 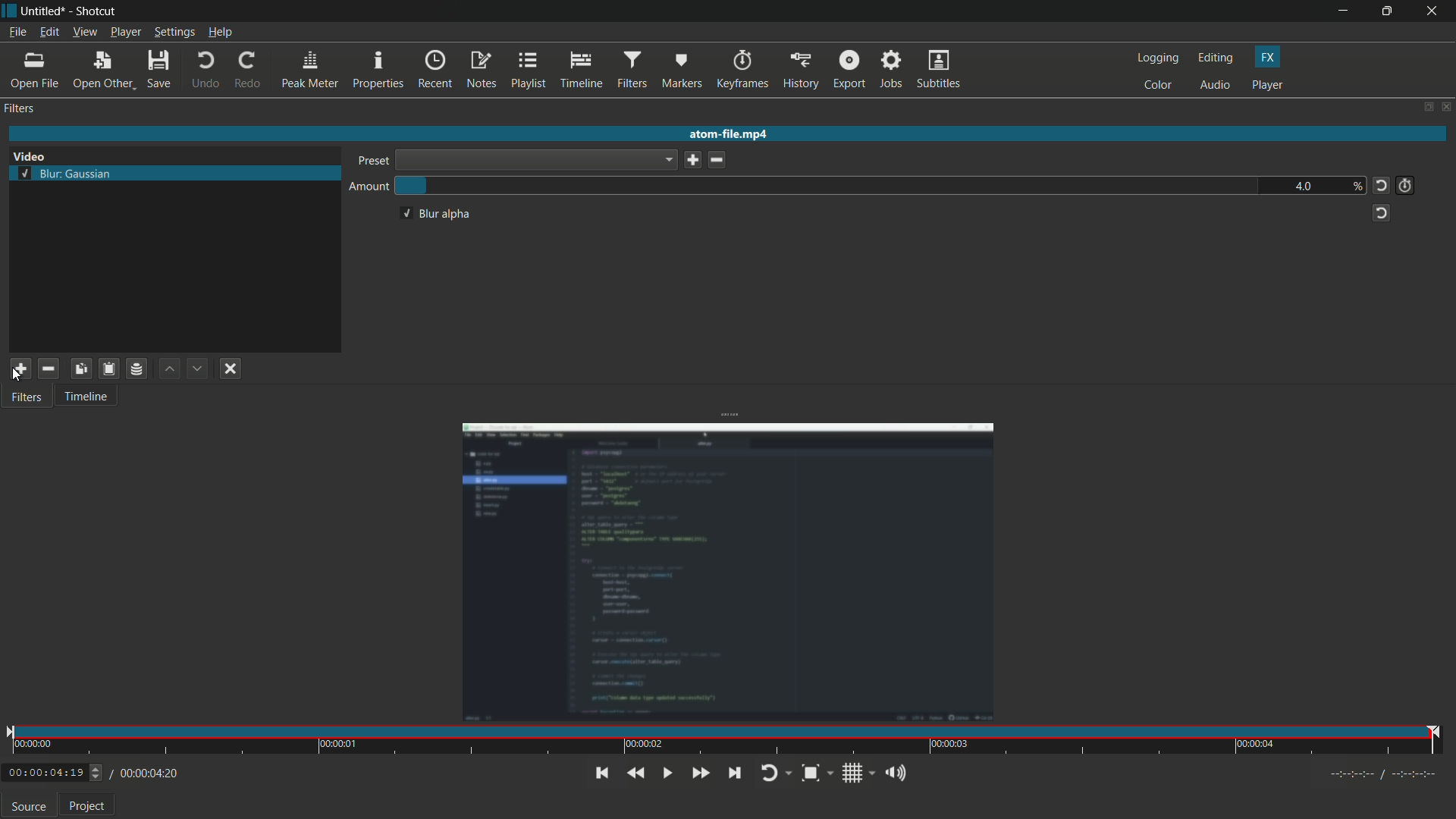 I want to click on show the volume control, so click(x=896, y=773).